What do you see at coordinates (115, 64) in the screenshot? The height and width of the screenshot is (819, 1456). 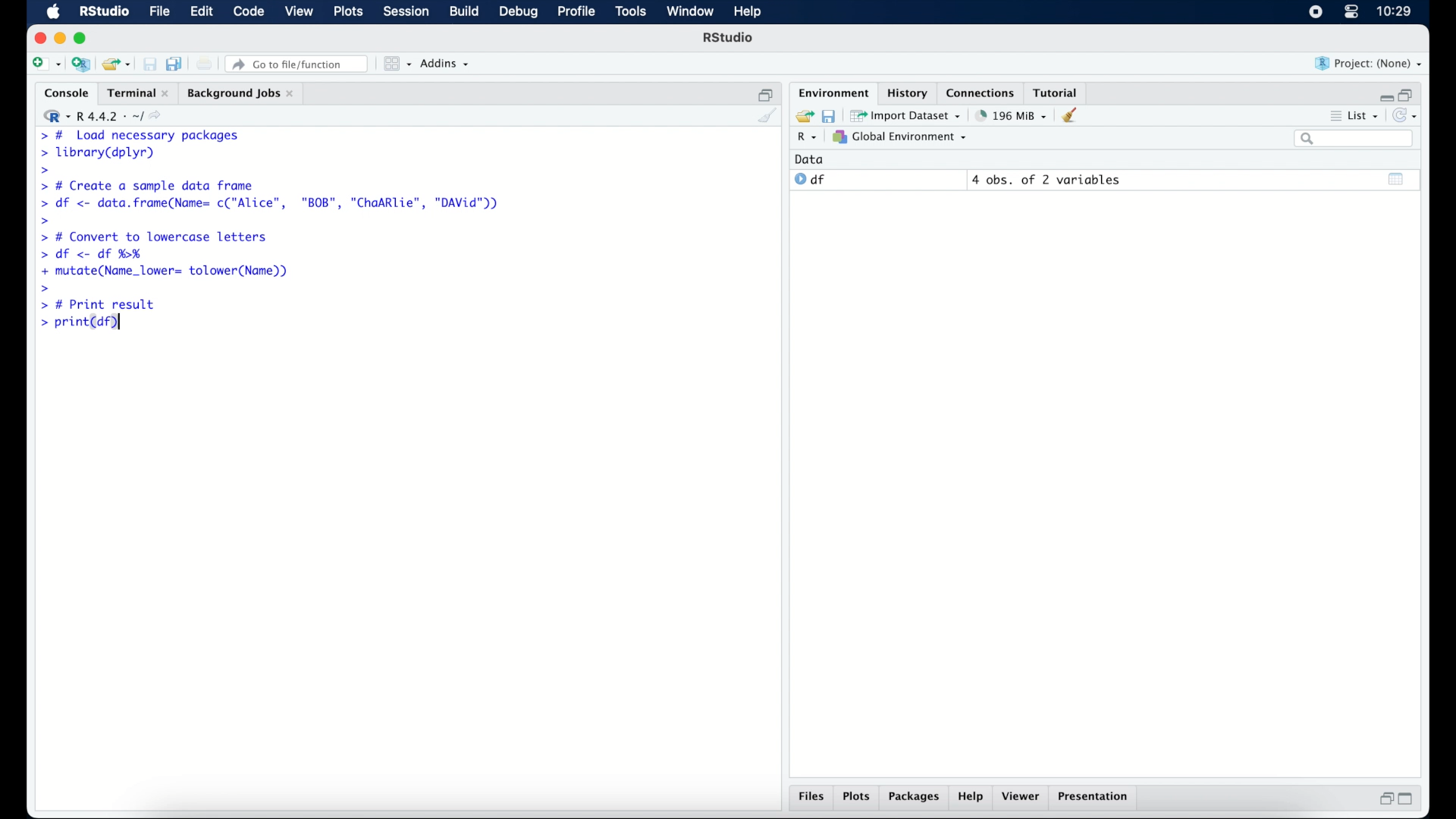 I see `load existing project` at bounding box center [115, 64].